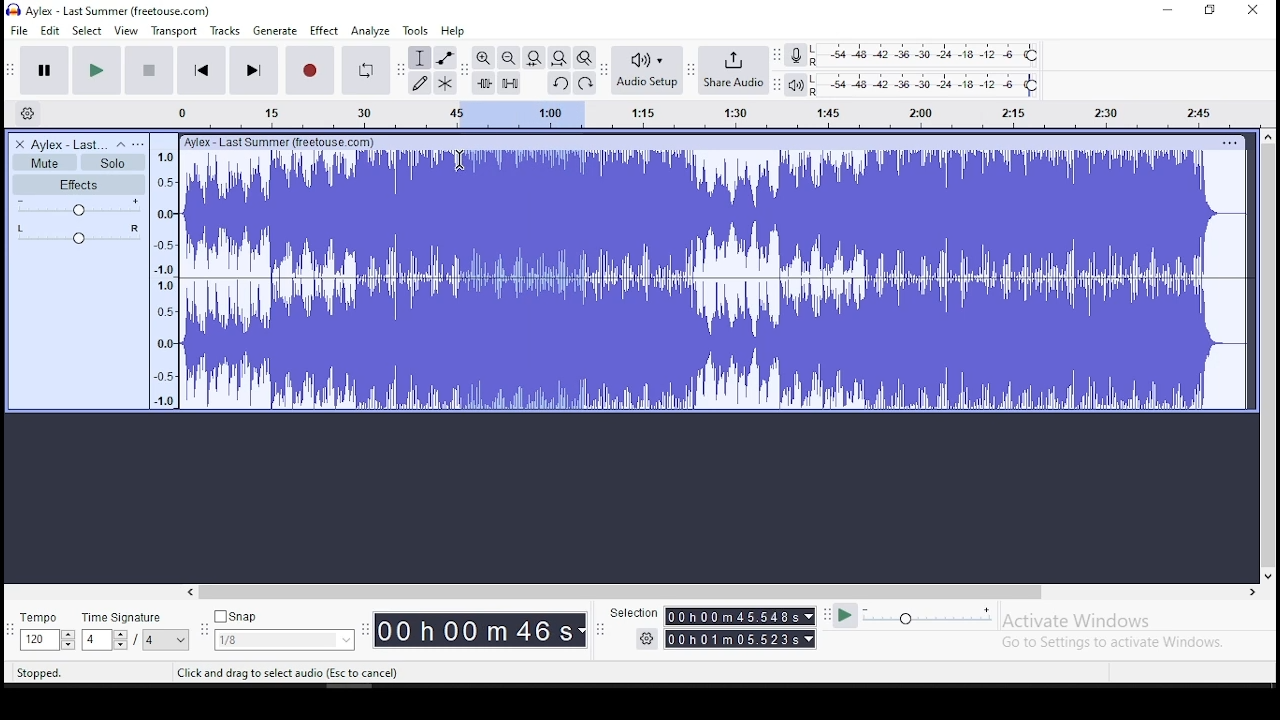  Describe the element at coordinates (483, 82) in the screenshot. I see `trim audio outside selection` at that location.